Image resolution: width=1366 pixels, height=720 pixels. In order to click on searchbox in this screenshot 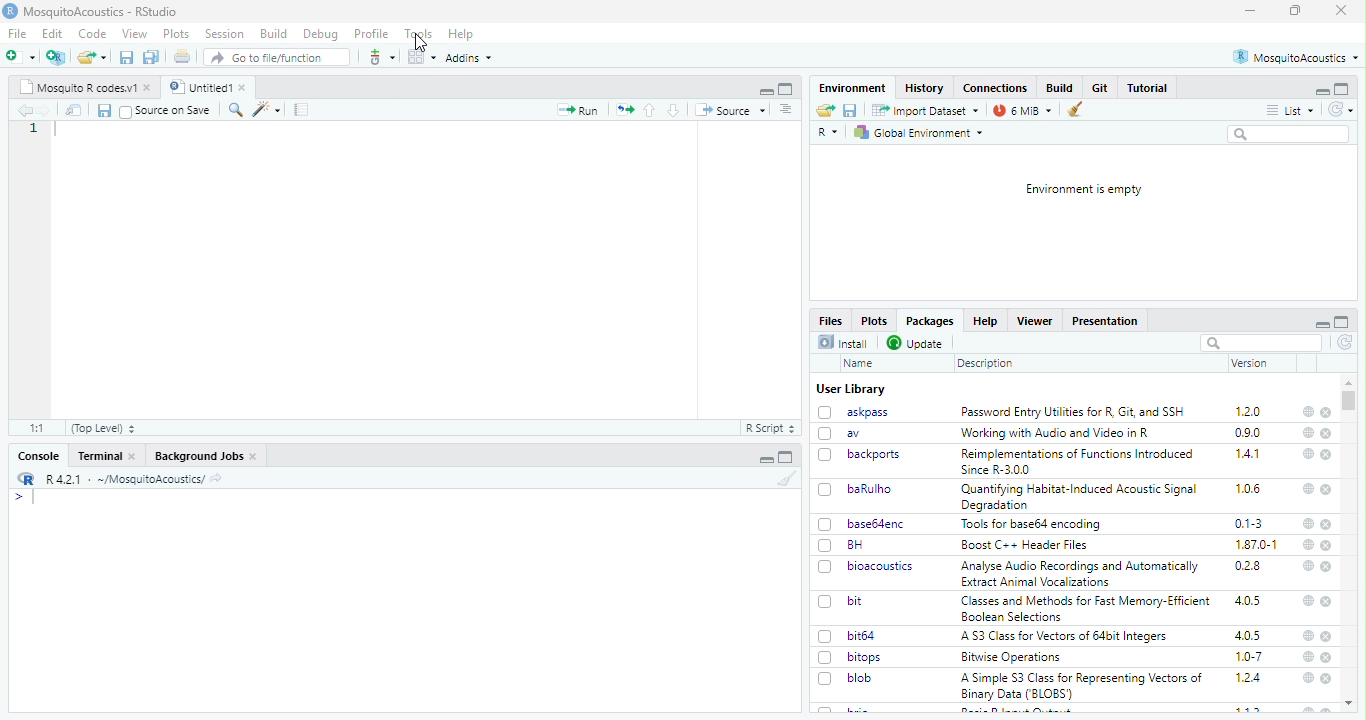, I will do `click(1291, 135)`.